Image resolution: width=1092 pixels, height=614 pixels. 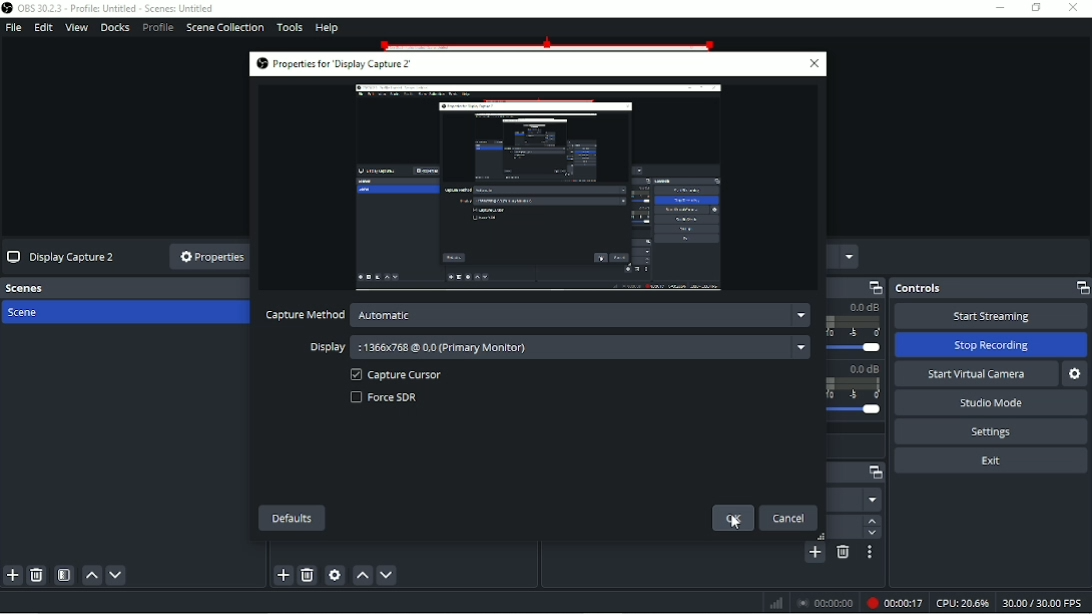 I want to click on File, so click(x=14, y=28).